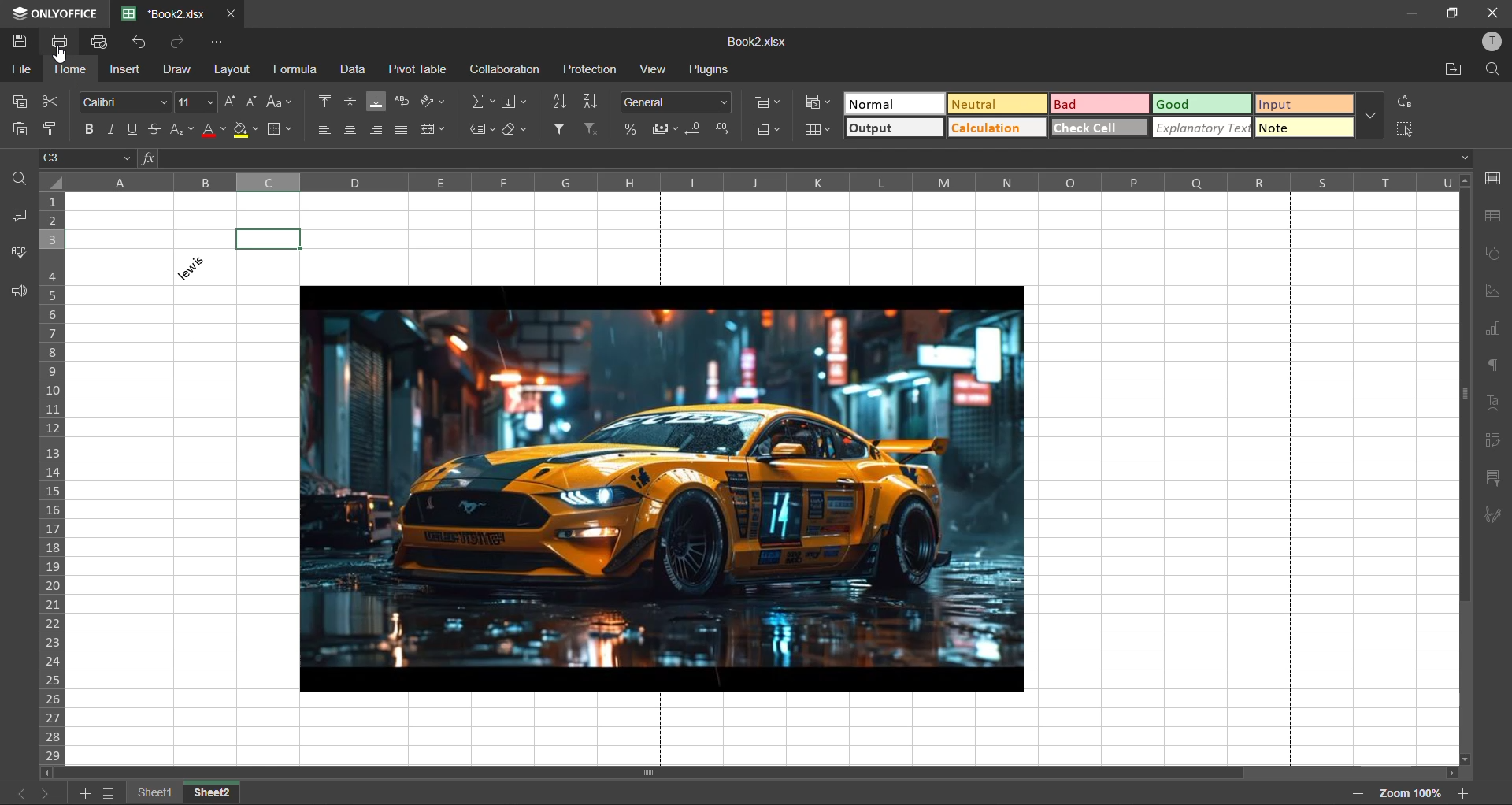 This screenshot has width=1512, height=805. What do you see at coordinates (278, 129) in the screenshot?
I see `borders` at bounding box center [278, 129].